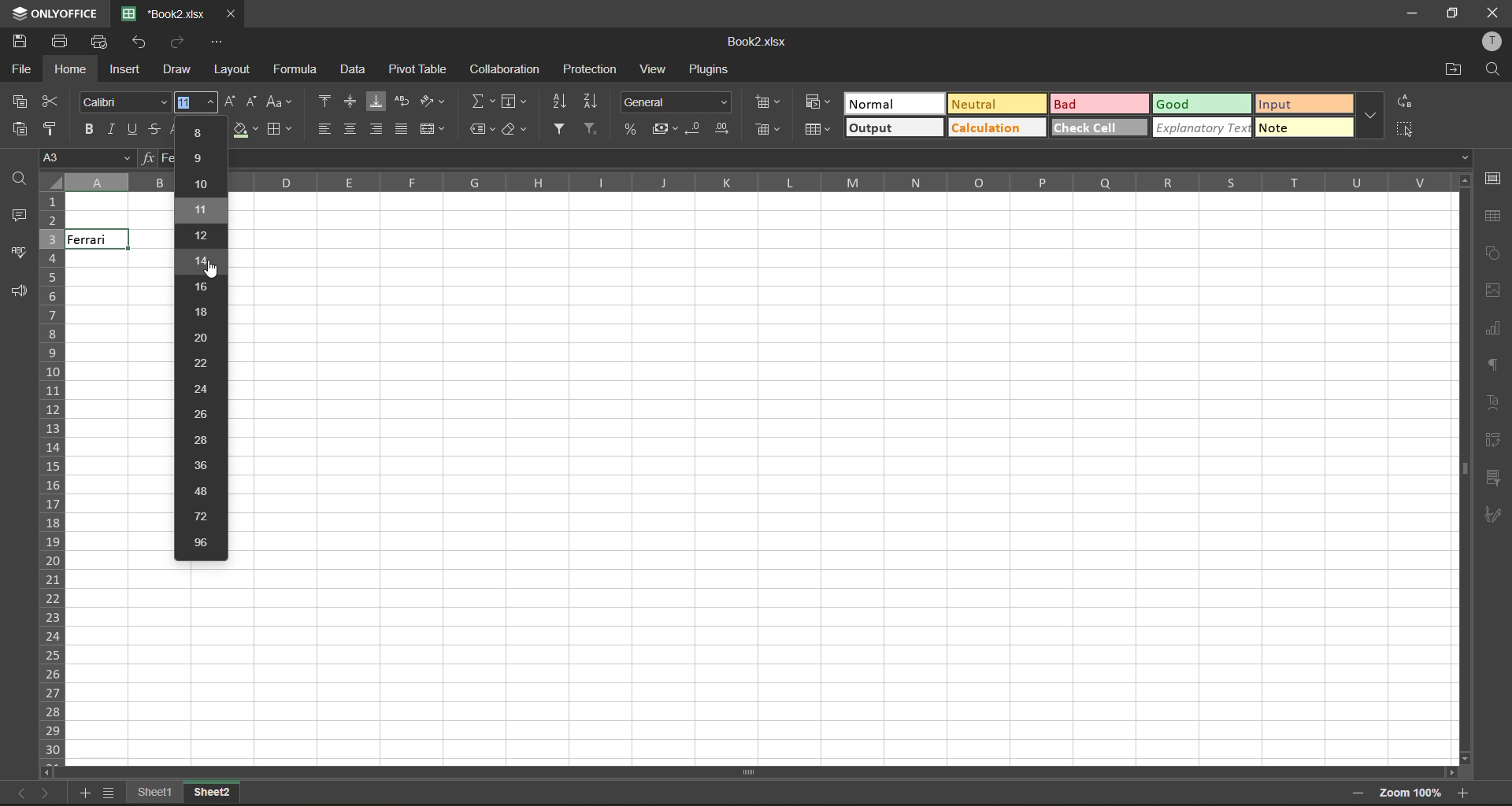 The width and height of the screenshot is (1512, 806). What do you see at coordinates (323, 100) in the screenshot?
I see `align top` at bounding box center [323, 100].